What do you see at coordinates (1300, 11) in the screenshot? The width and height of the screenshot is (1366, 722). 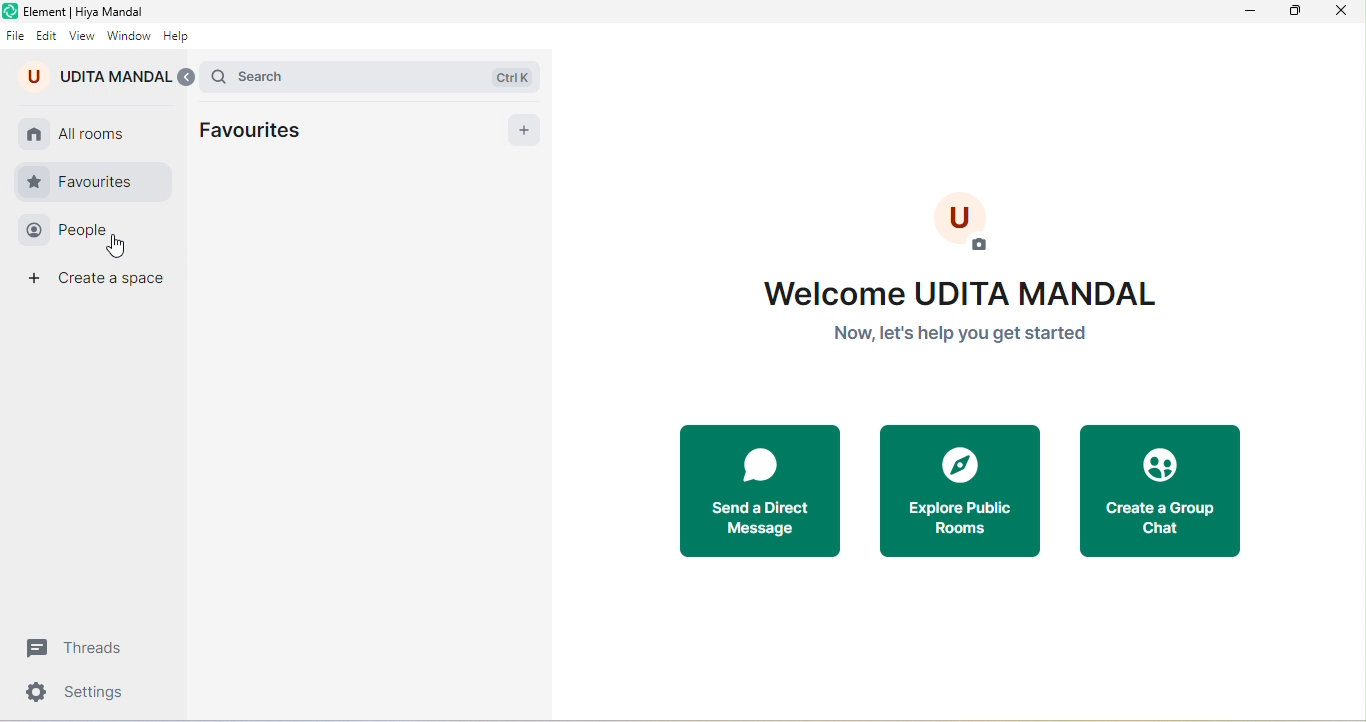 I see `maximize` at bounding box center [1300, 11].